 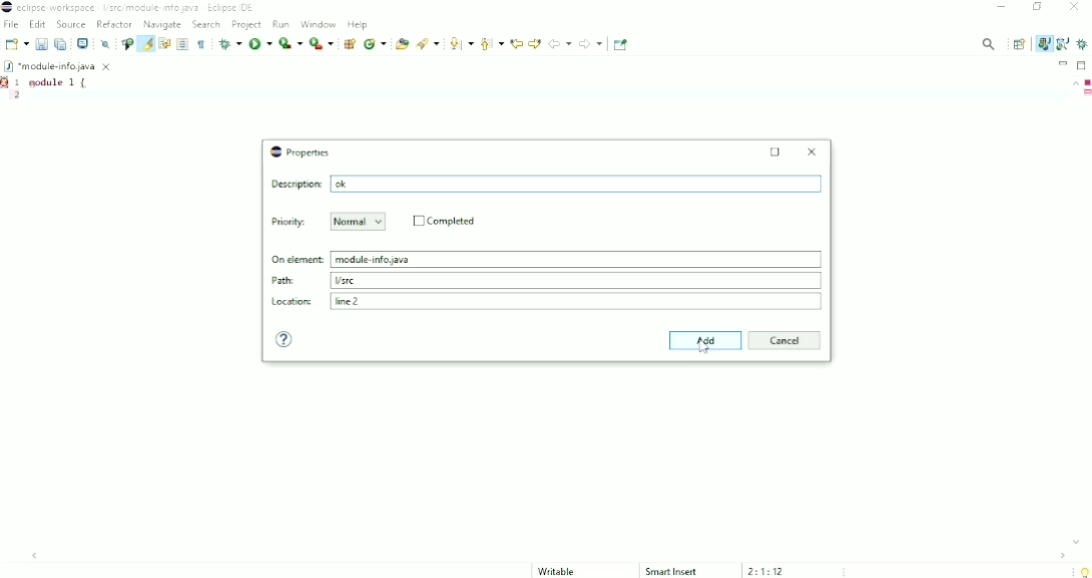 I want to click on Open a terminal, so click(x=82, y=44).